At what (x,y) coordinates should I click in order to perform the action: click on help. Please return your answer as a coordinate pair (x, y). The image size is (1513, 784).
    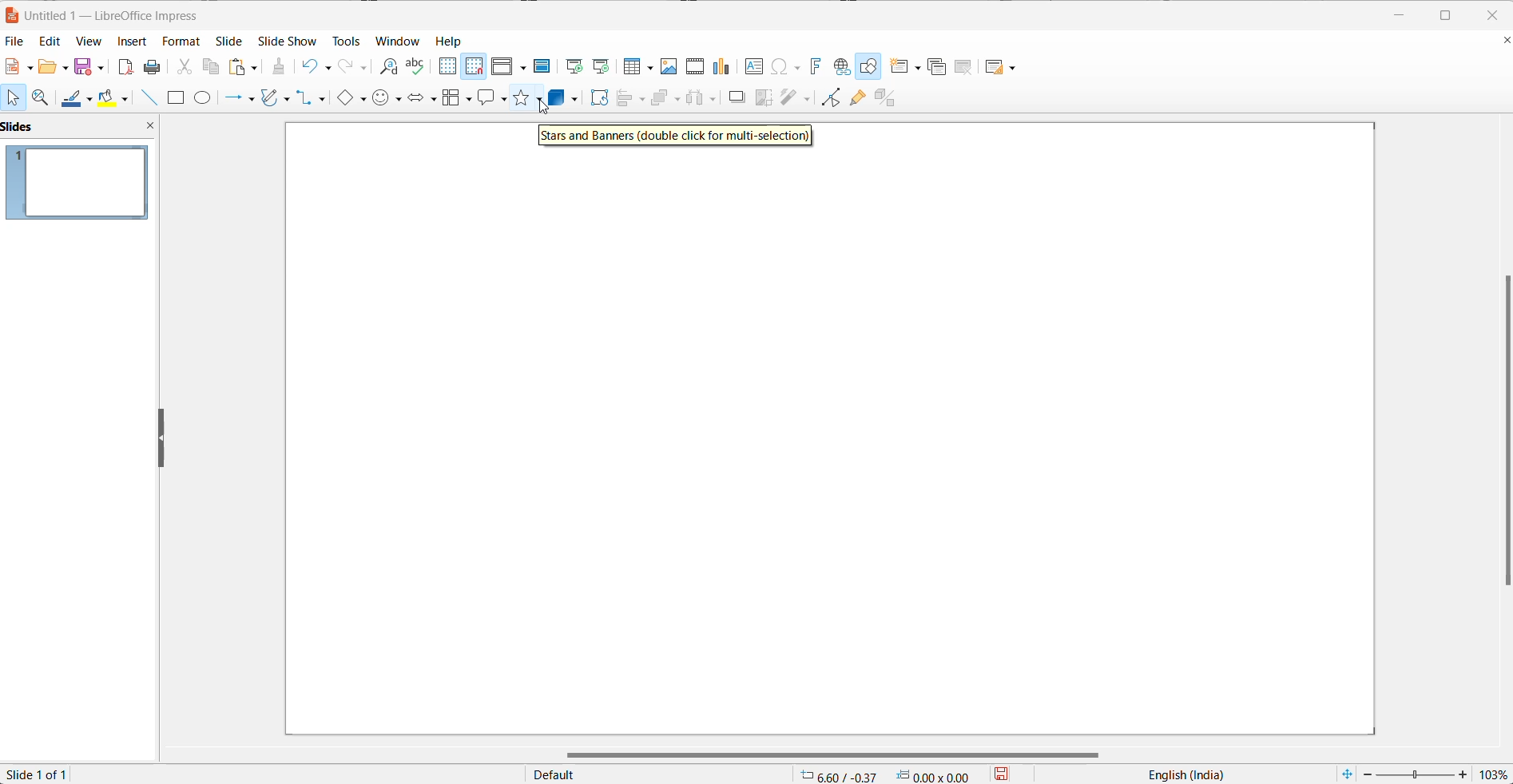
    Looking at the image, I should click on (455, 41).